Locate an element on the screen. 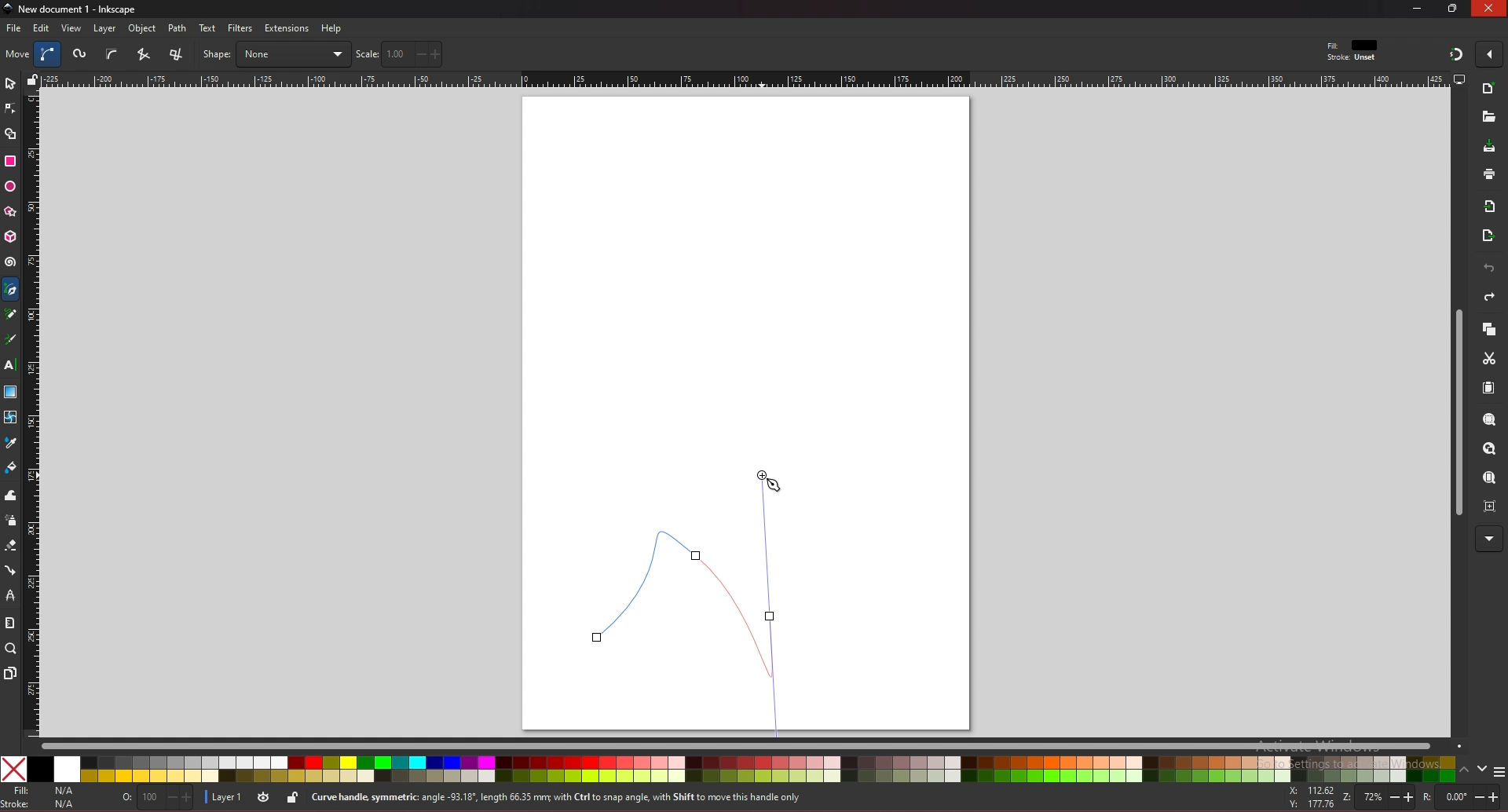  b spline path is located at coordinates (112, 53).